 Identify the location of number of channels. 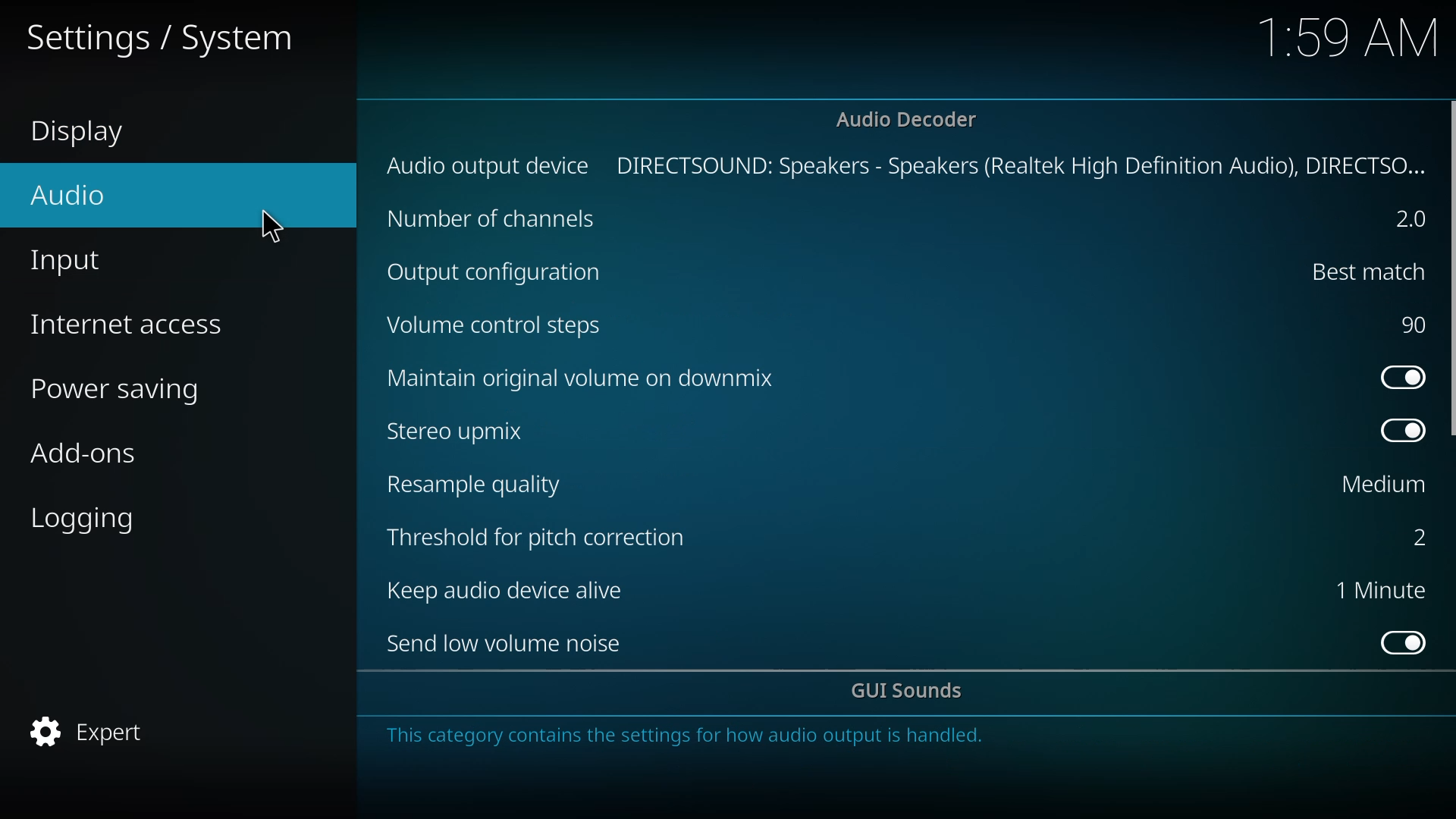
(493, 219).